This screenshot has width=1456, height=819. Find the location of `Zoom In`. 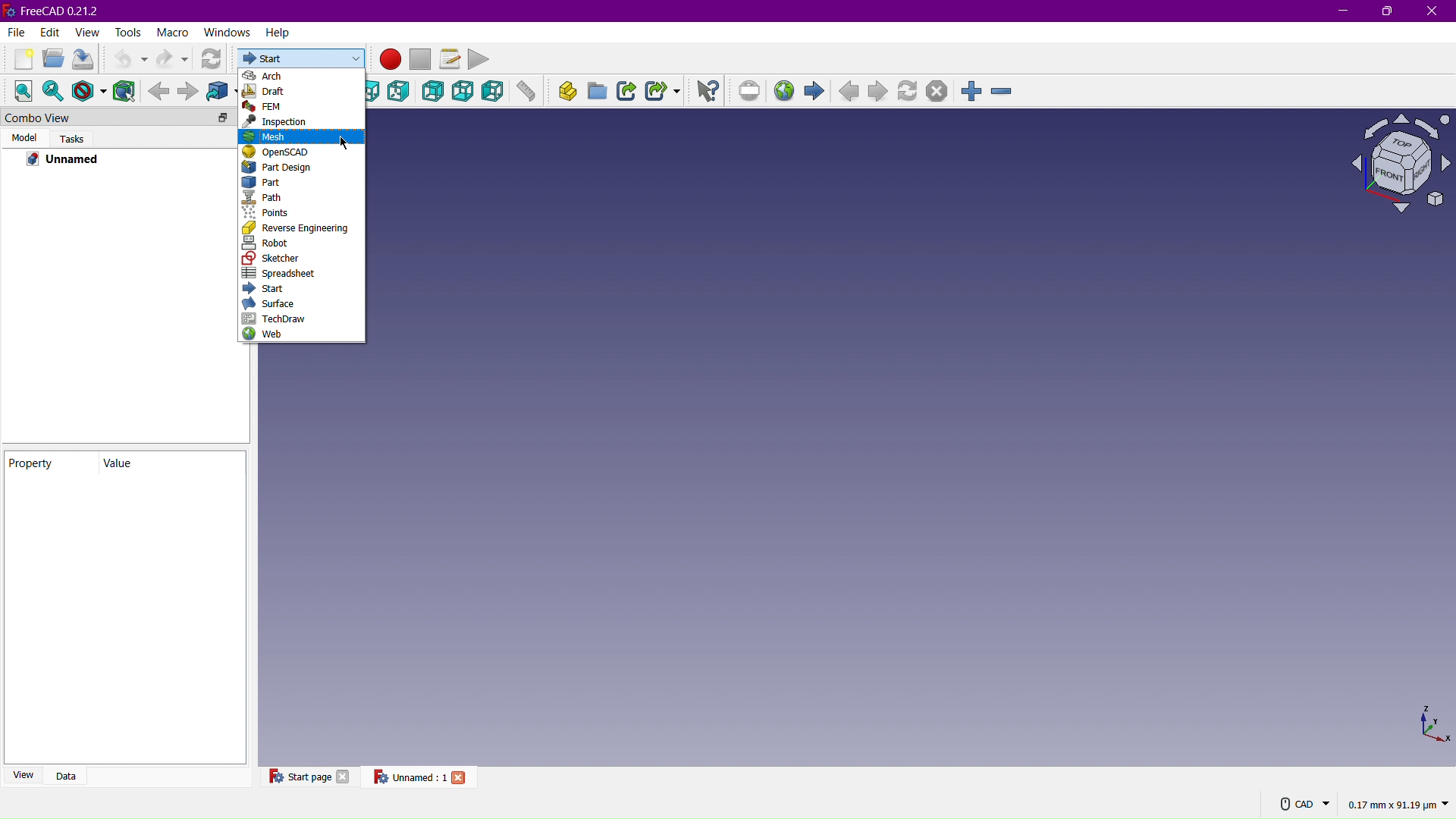

Zoom In is located at coordinates (973, 89).